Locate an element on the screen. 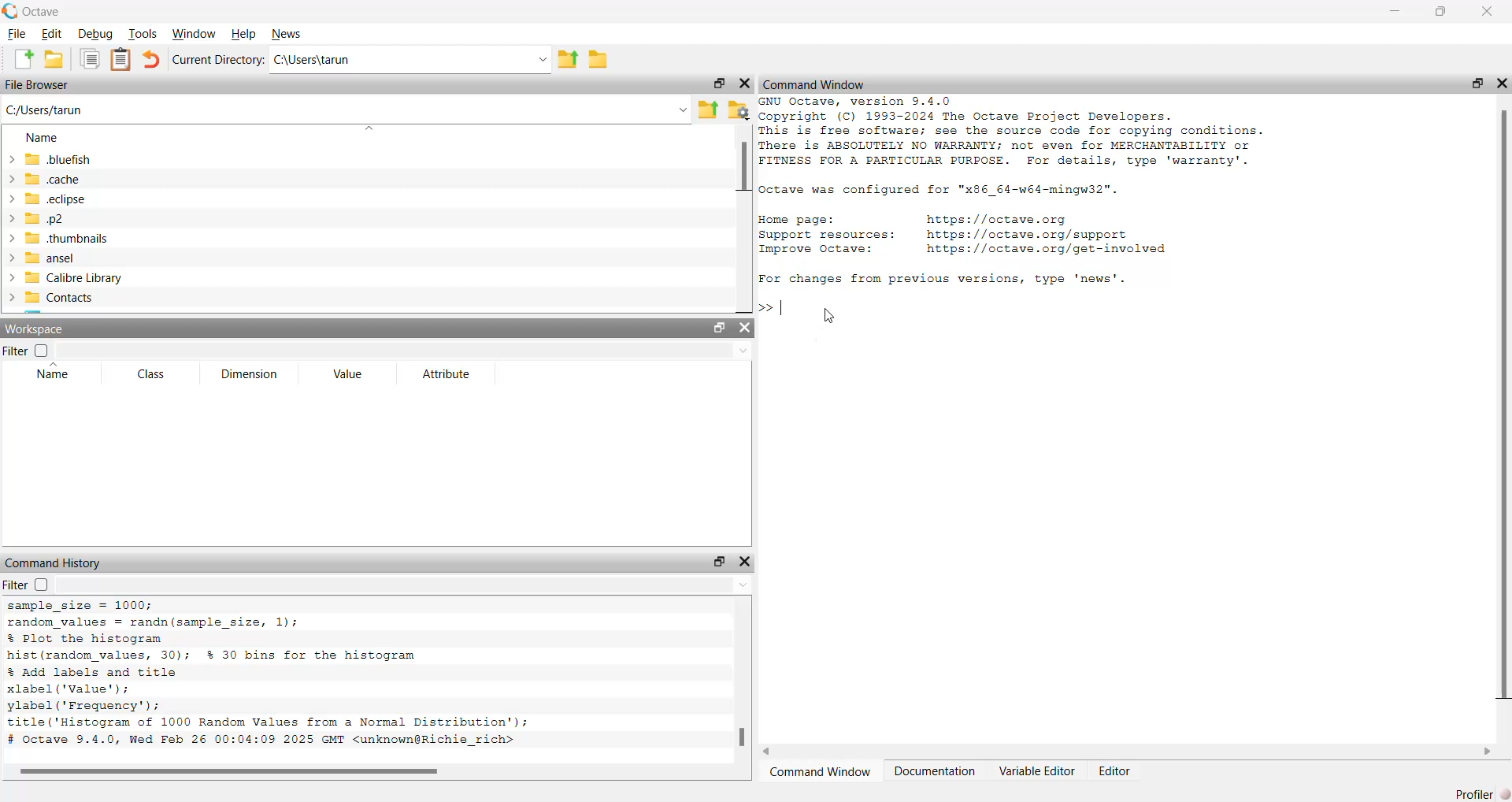  Command Window is located at coordinates (821, 773).